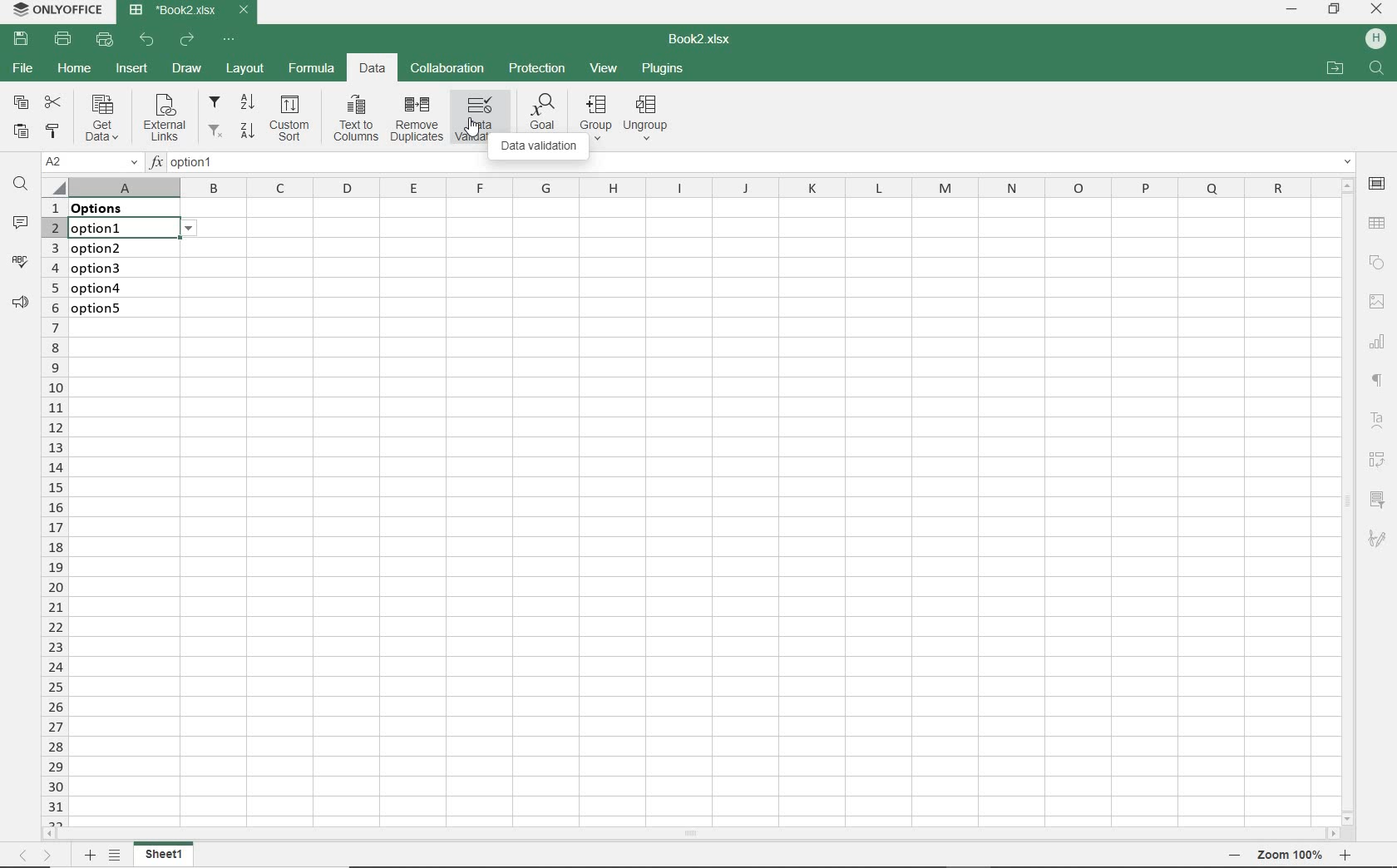 This screenshot has height=868, width=1397. Describe the element at coordinates (21, 223) in the screenshot. I see `COMMENTS` at that location.